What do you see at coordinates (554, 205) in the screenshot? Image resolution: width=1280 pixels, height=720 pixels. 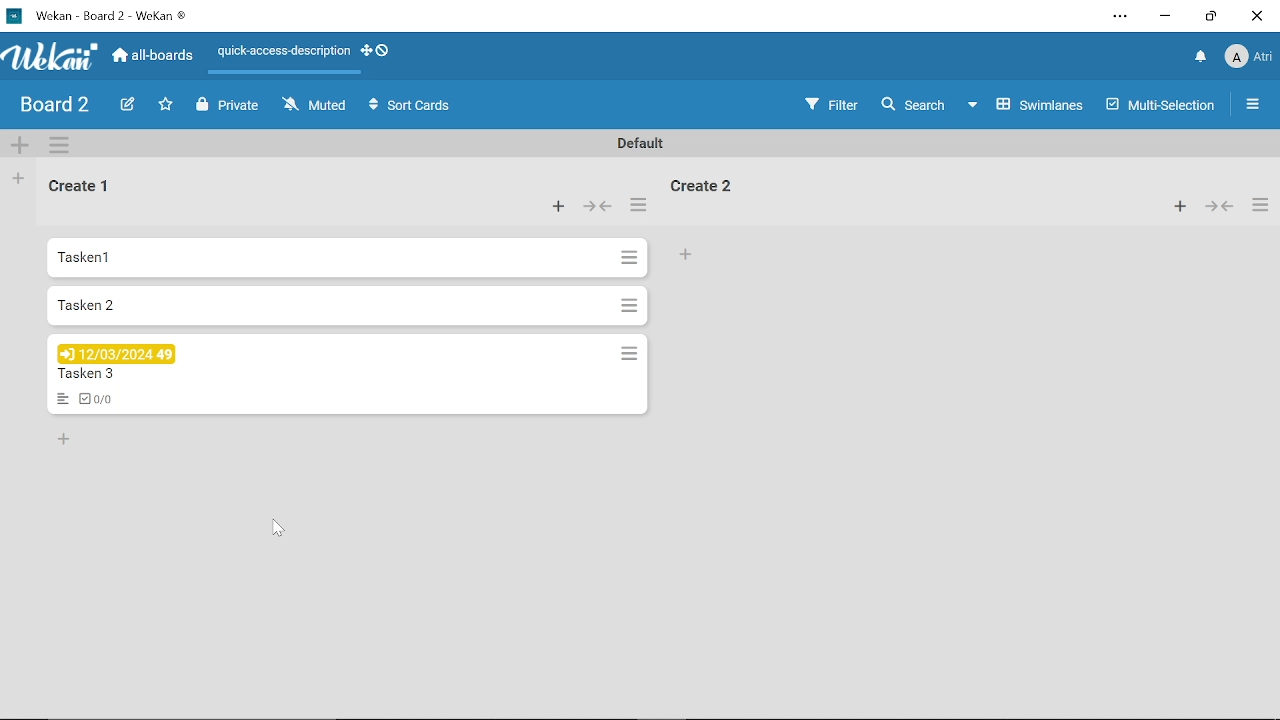 I see `Add` at bounding box center [554, 205].